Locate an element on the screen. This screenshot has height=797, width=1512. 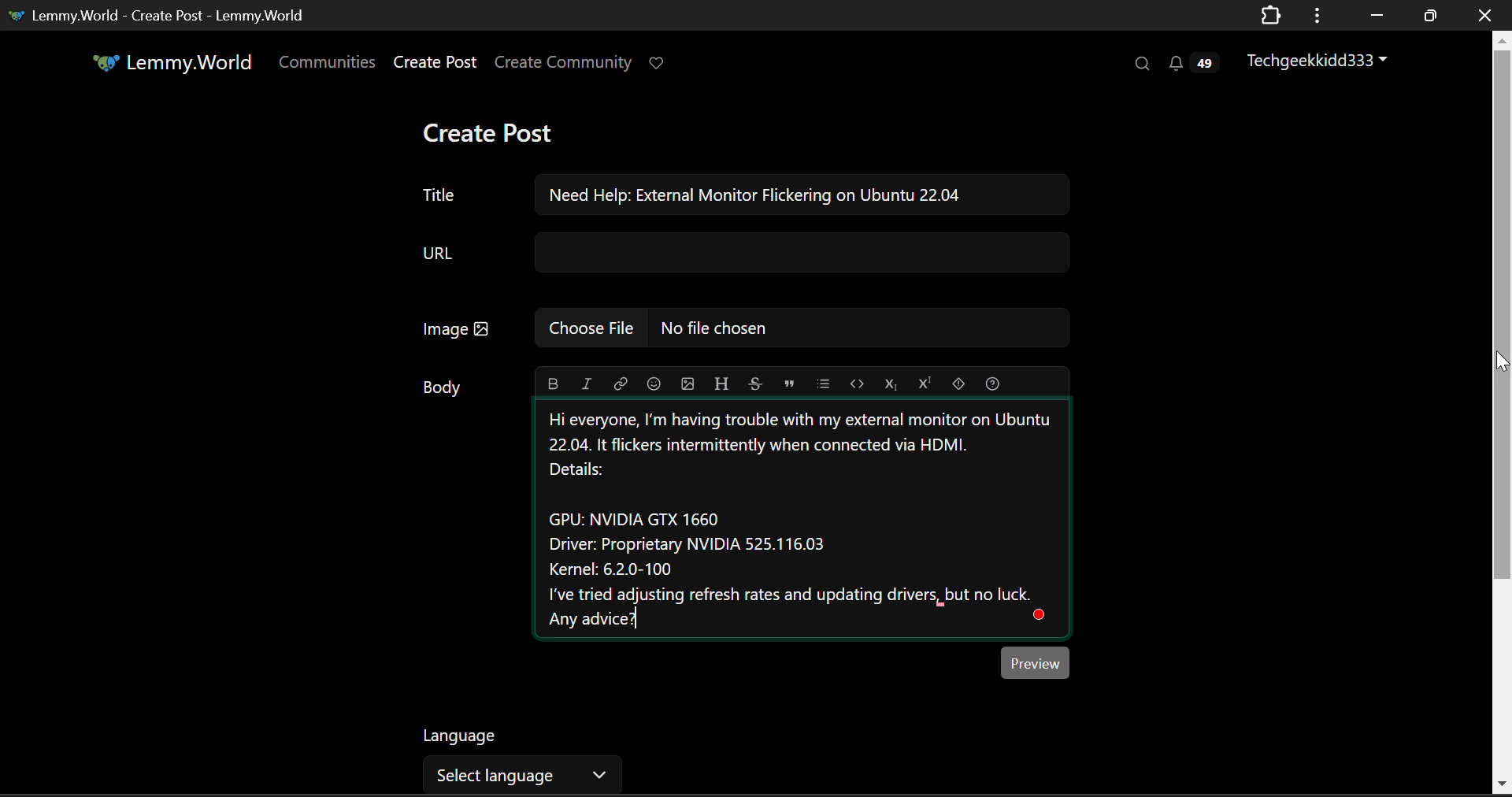
Extensions is located at coordinates (1271, 17).